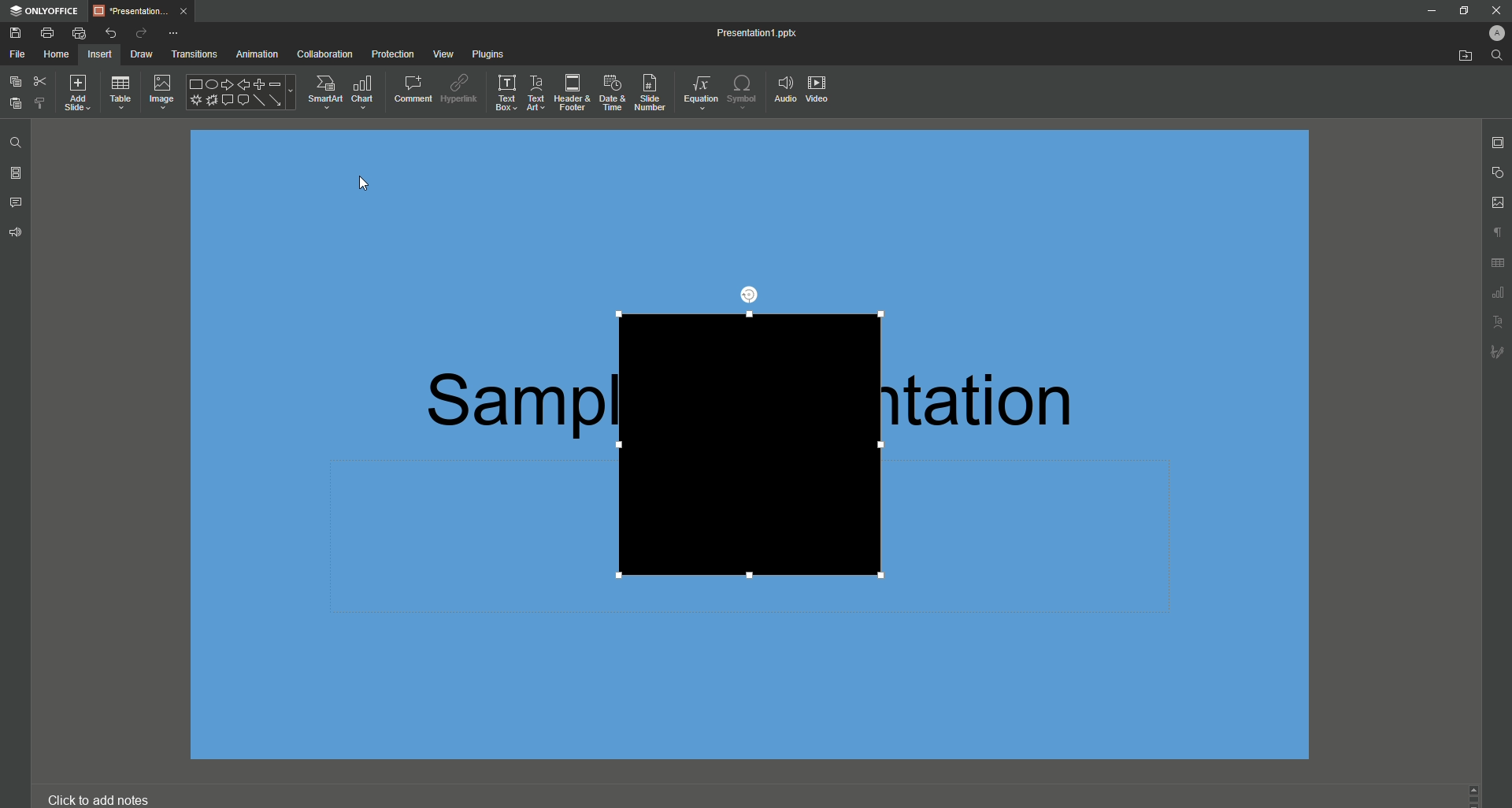 The image size is (1512, 808). Describe the element at coordinates (142, 10) in the screenshot. I see `Tab 1` at that location.